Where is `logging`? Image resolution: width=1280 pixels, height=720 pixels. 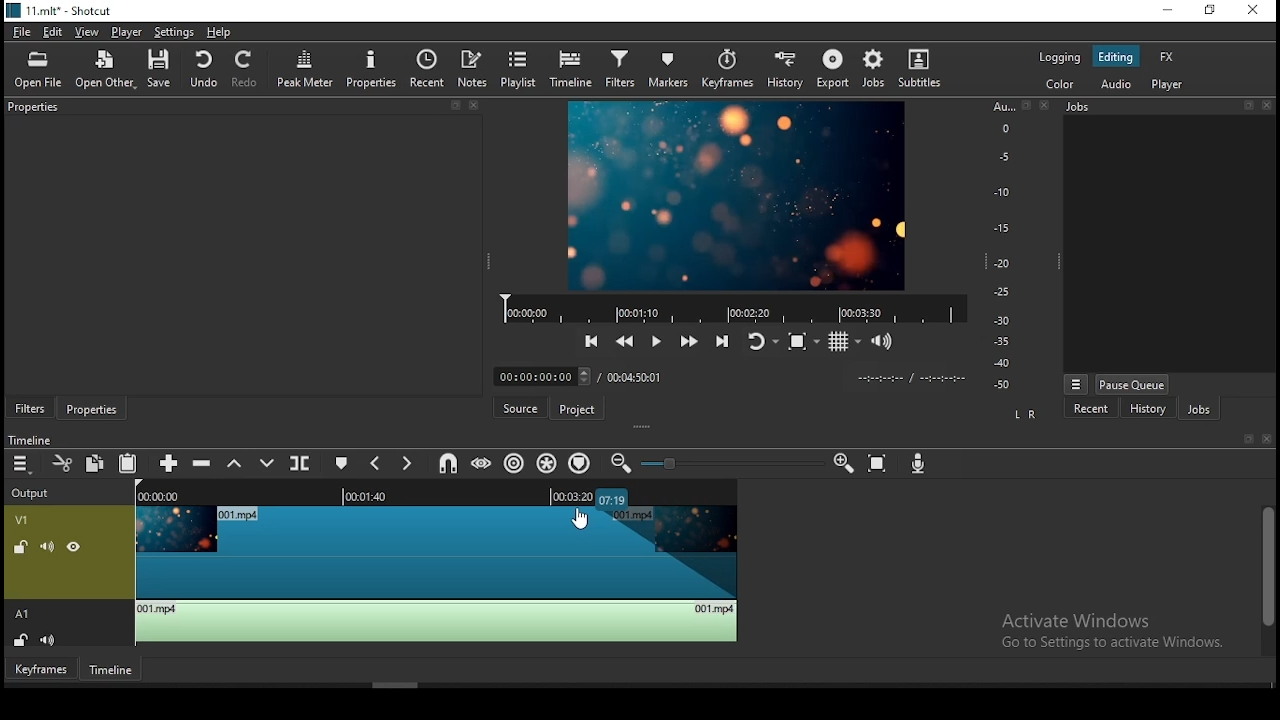
logging is located at coordinates (1060, 55).